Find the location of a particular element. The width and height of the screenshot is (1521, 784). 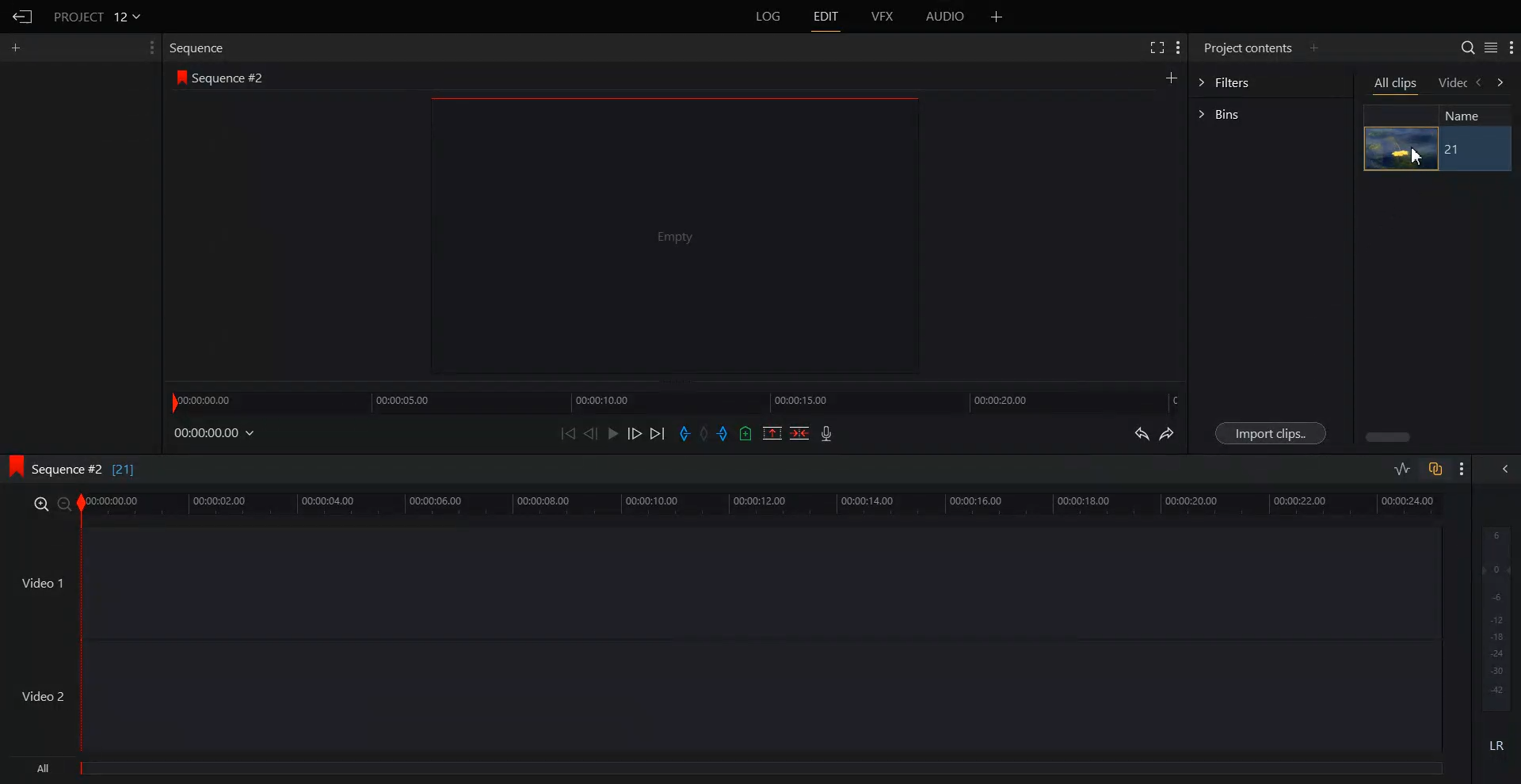

Video 1 is located at coordinates (761, 582).